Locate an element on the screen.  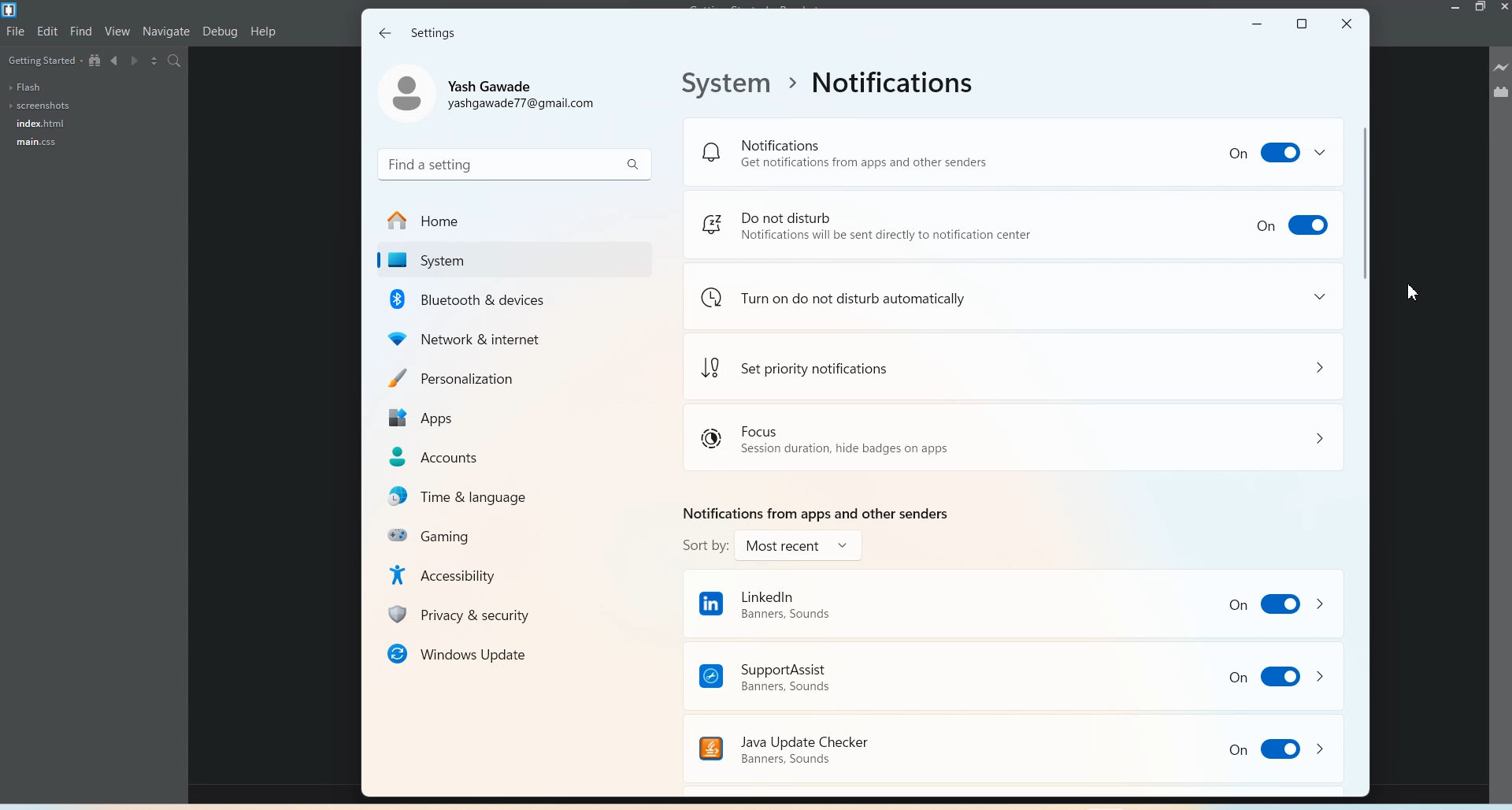
Debug is located at coordinates (220, 32).